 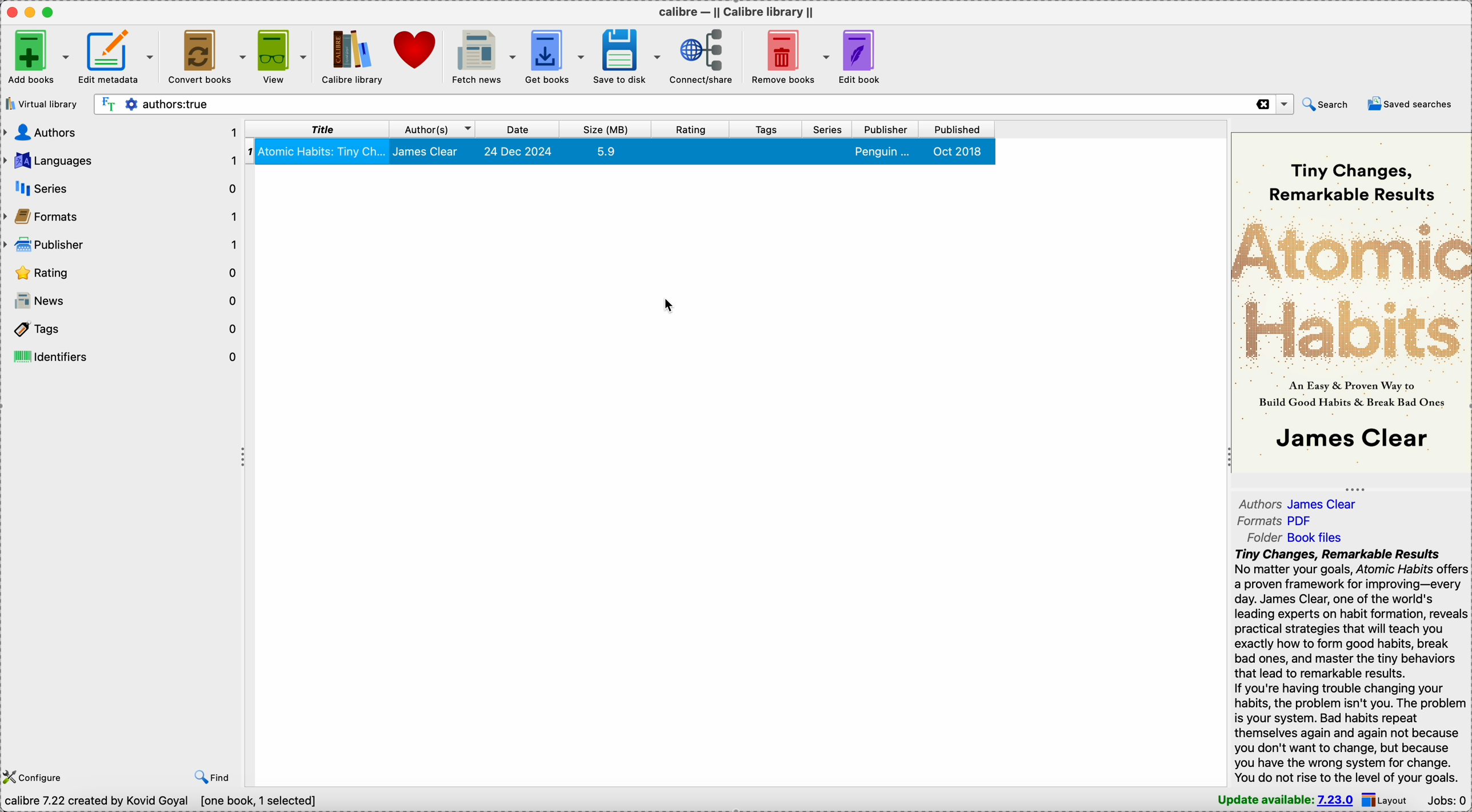 What do you see at coordinates (416, 50) in the screenshot?
I see `donate` at bounding box center [416, 50].